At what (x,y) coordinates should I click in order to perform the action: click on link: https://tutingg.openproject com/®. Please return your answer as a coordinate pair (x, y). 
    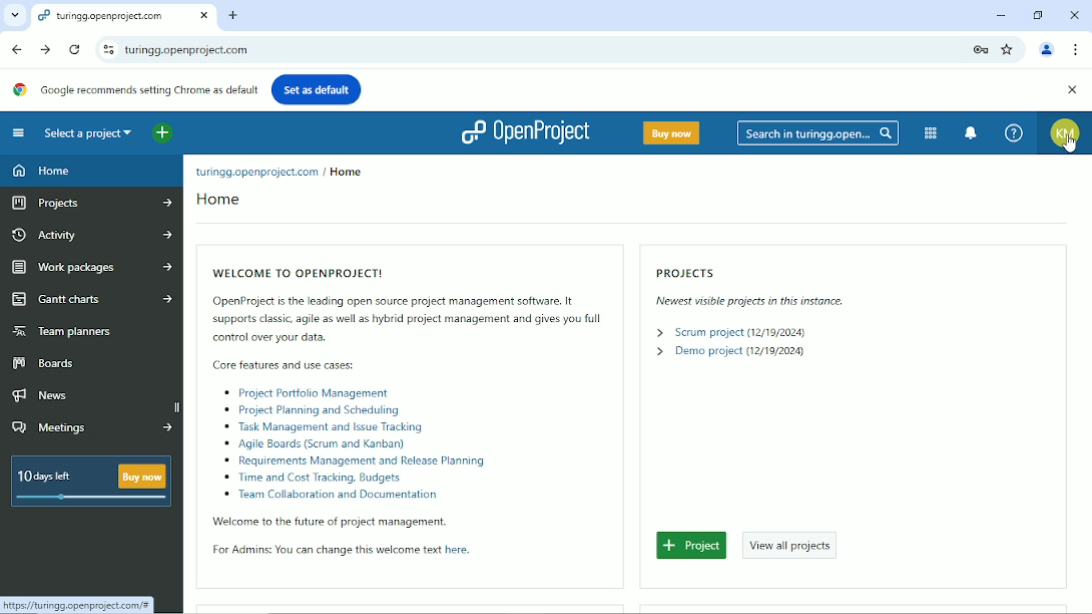
    Looking at the image, I should click on (76, 605).